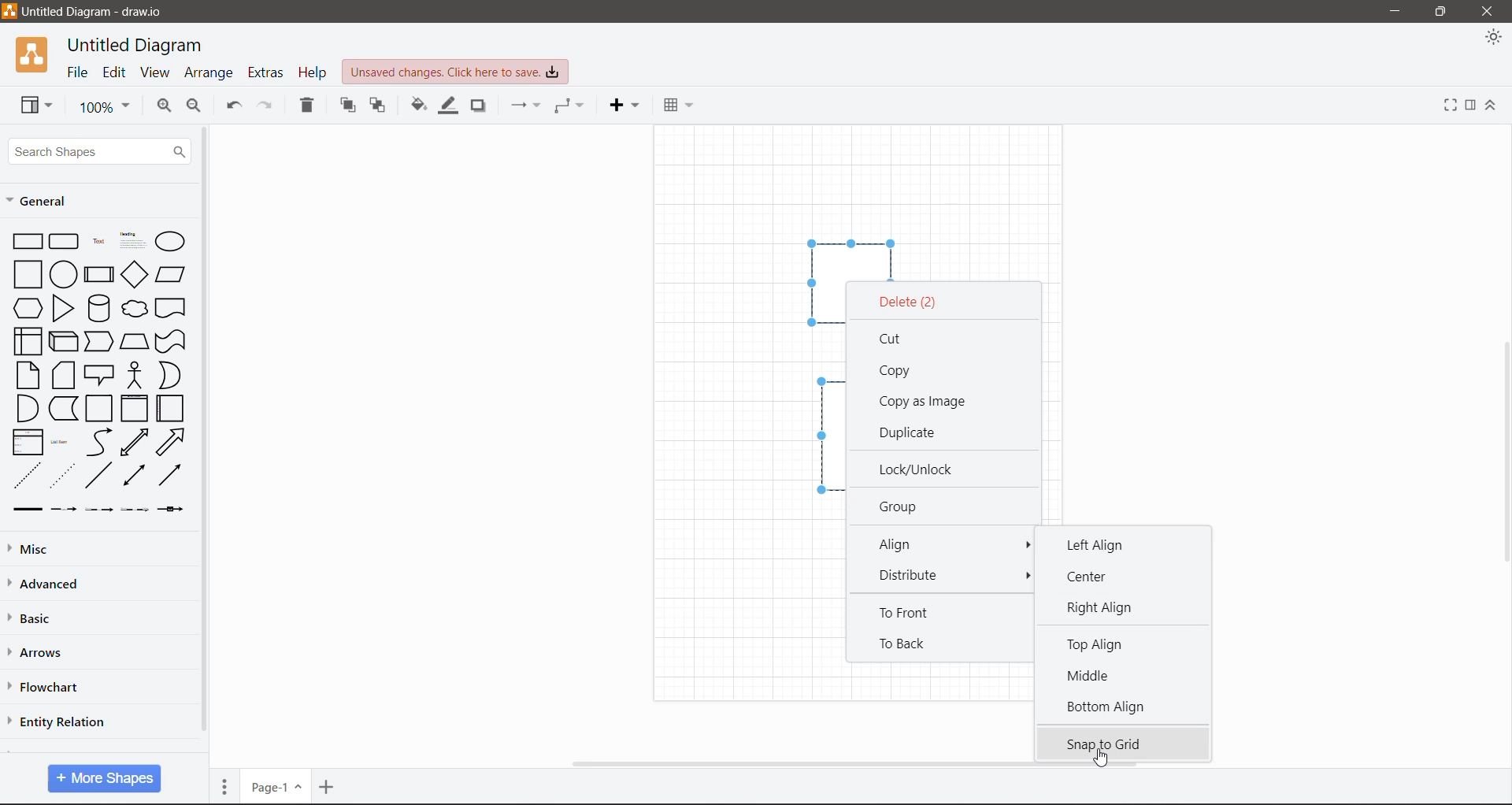 The image size is (1512, 805). What do you see at coordinates (1441, 12) in the screenshot?
I see `Restore Down` at bounding box center [1441, 12].